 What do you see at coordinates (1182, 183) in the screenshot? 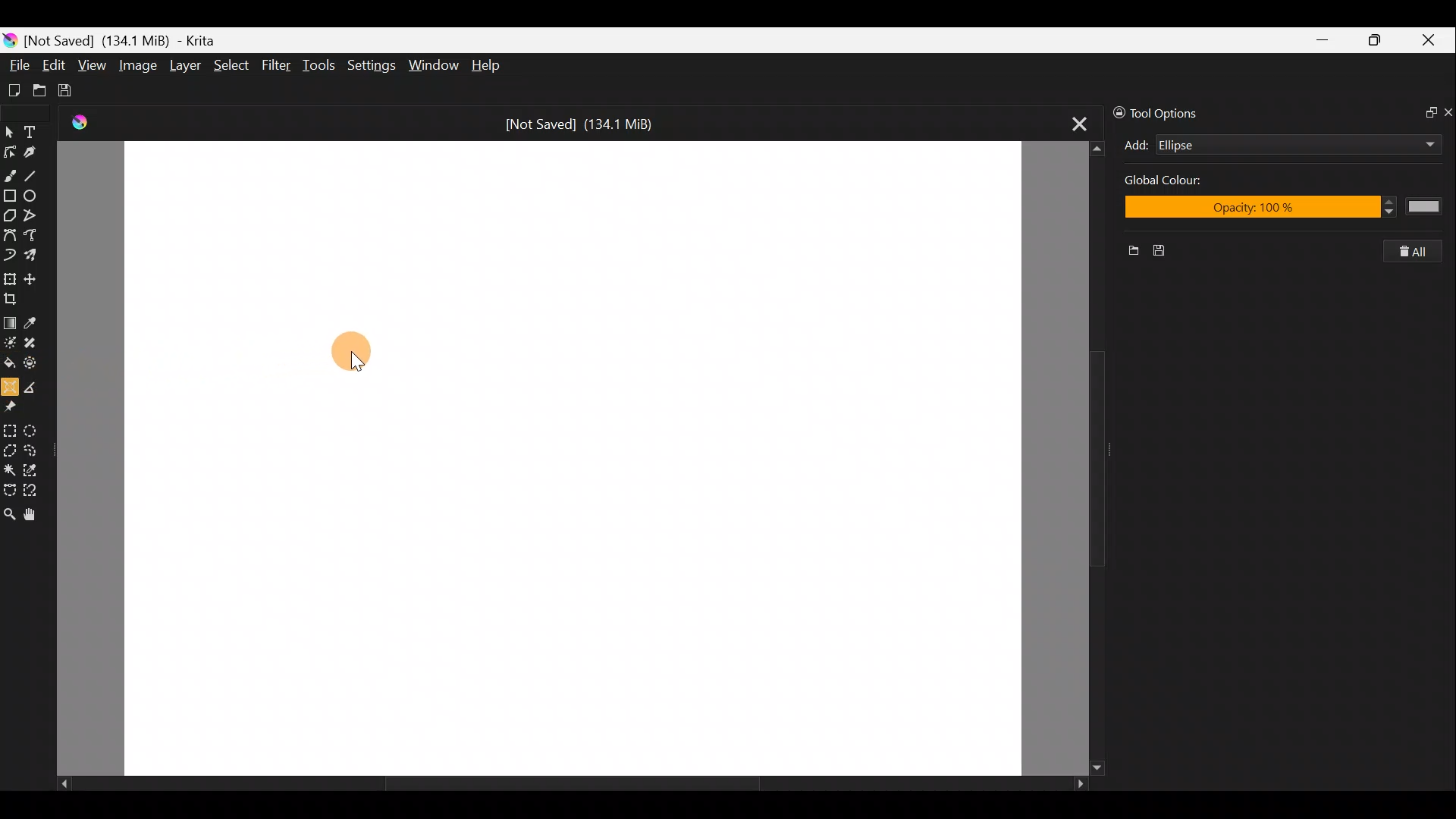
I see `Global color` at bounding box center [1182, 183].